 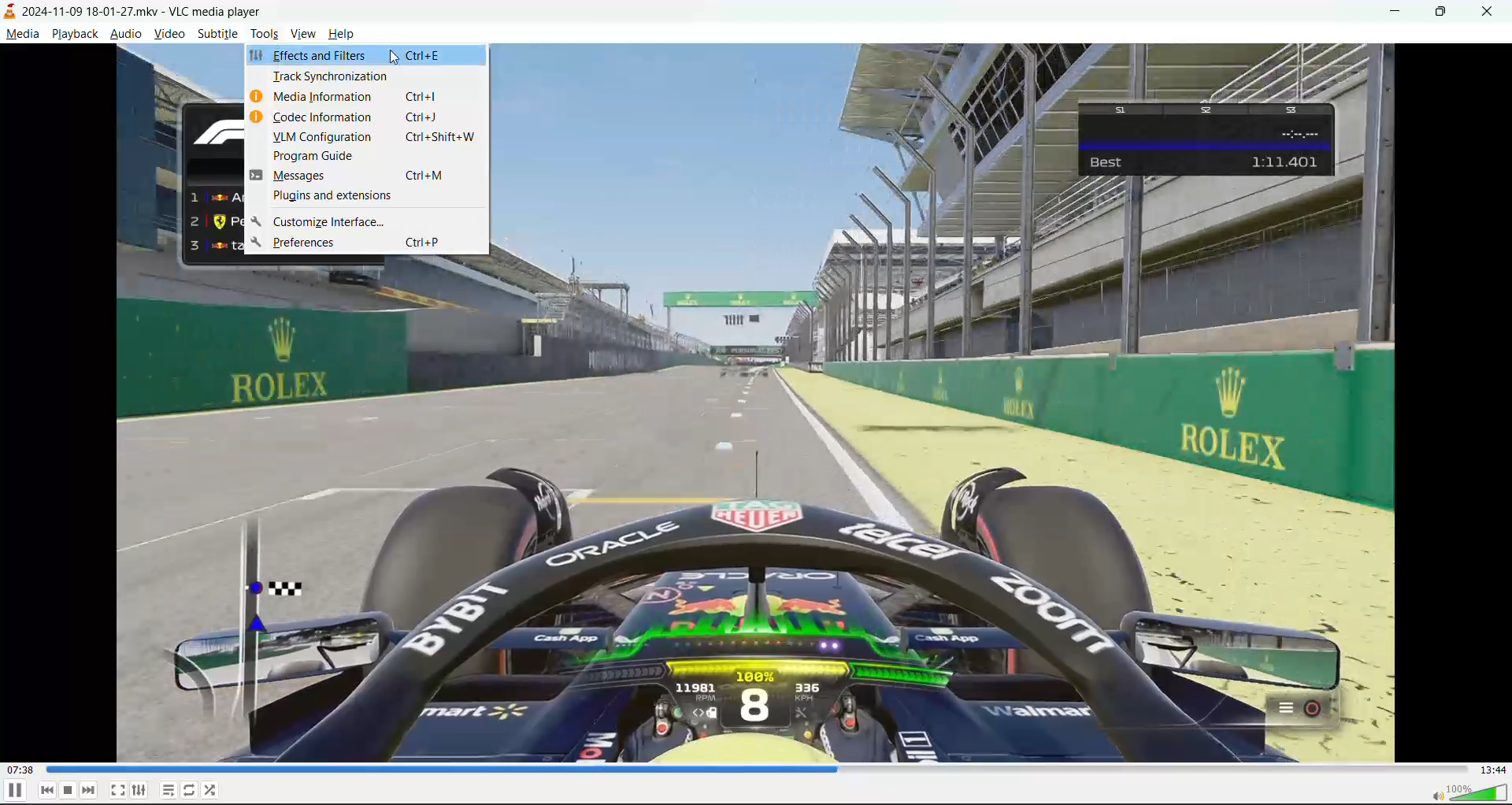 What do you see at coordinates (1394, 13) in the screenshot?
I see `minimize` at bounding box center [1394, 13].